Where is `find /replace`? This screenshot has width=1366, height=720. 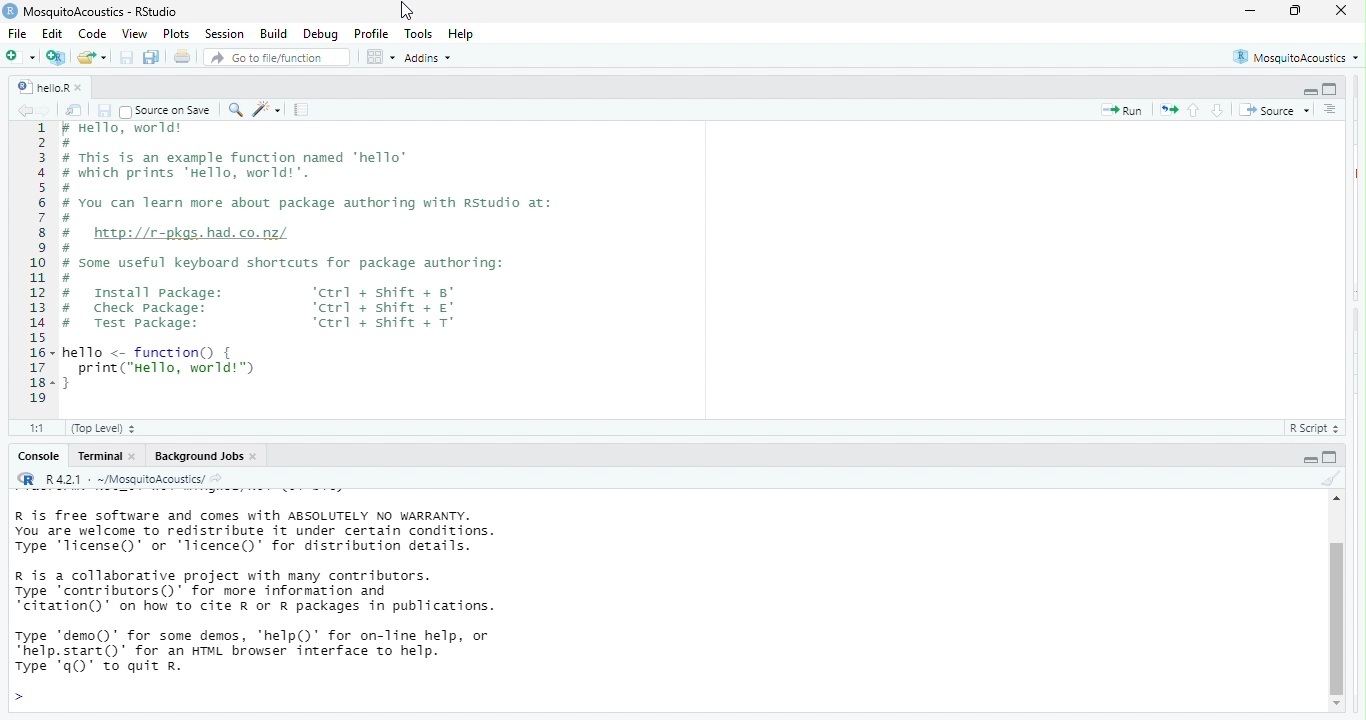 find /replace is located at coordinates (235, 110).